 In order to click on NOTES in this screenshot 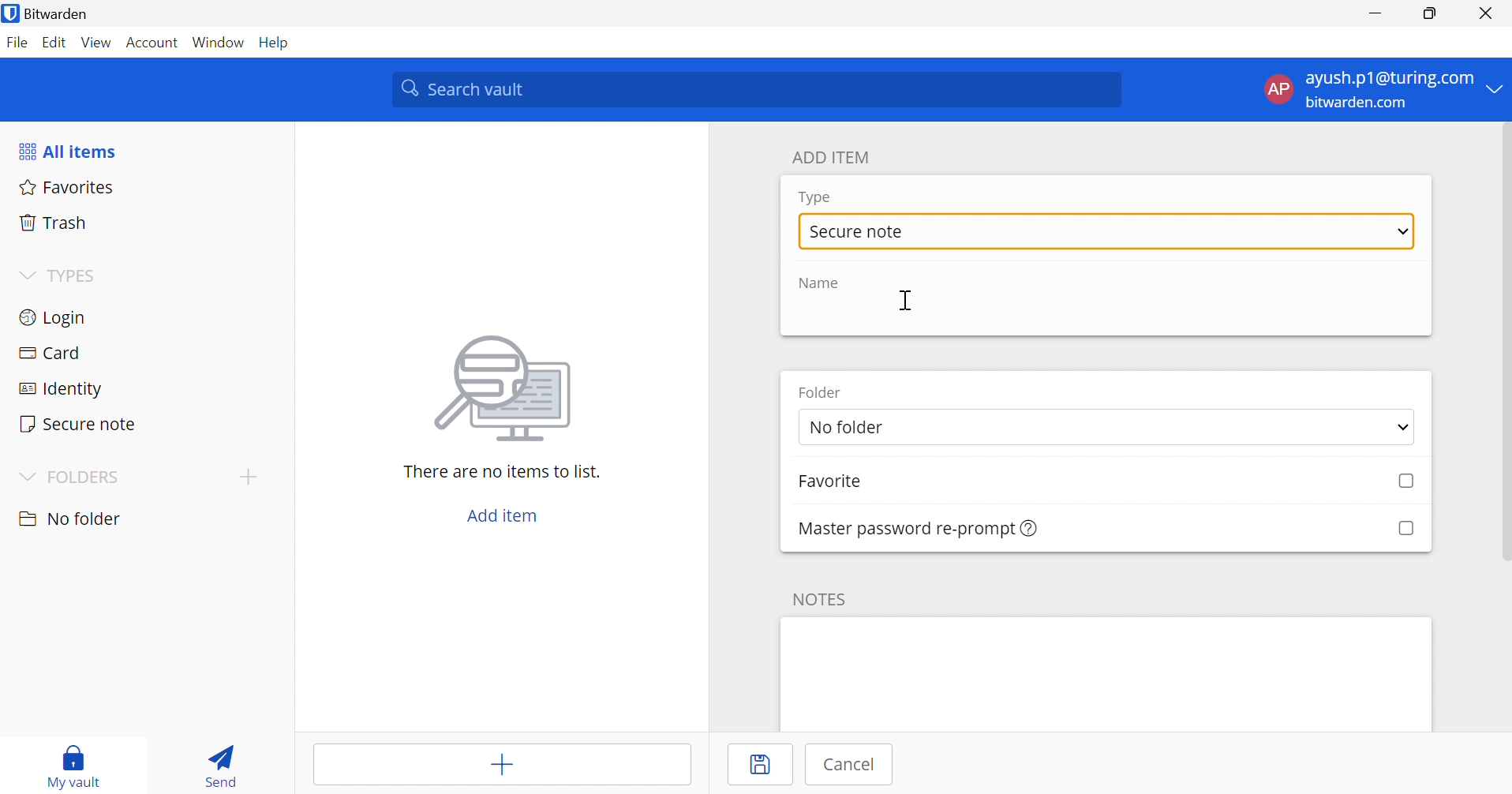, I will do `click(825, 597)`.